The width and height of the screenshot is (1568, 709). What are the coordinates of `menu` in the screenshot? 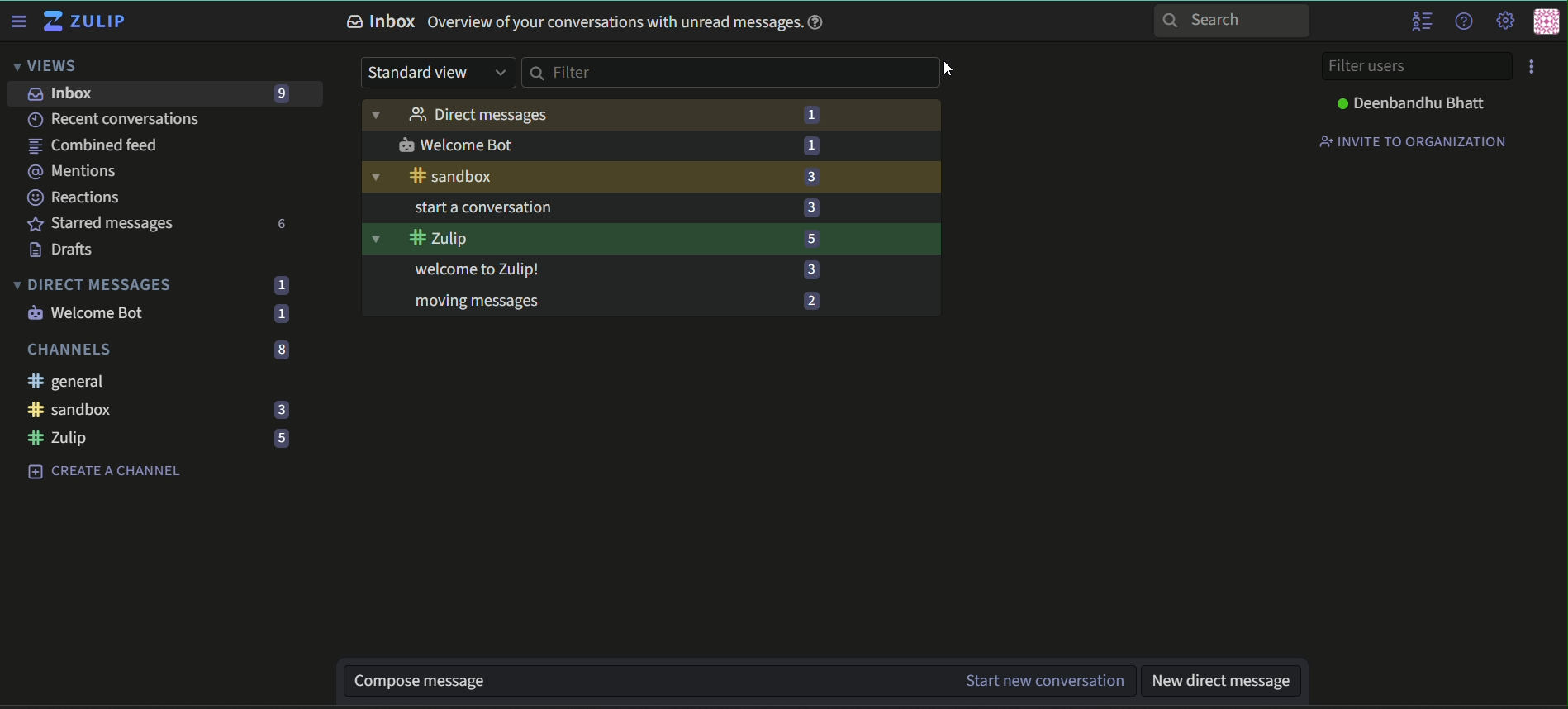 It's located at (1535, 67).